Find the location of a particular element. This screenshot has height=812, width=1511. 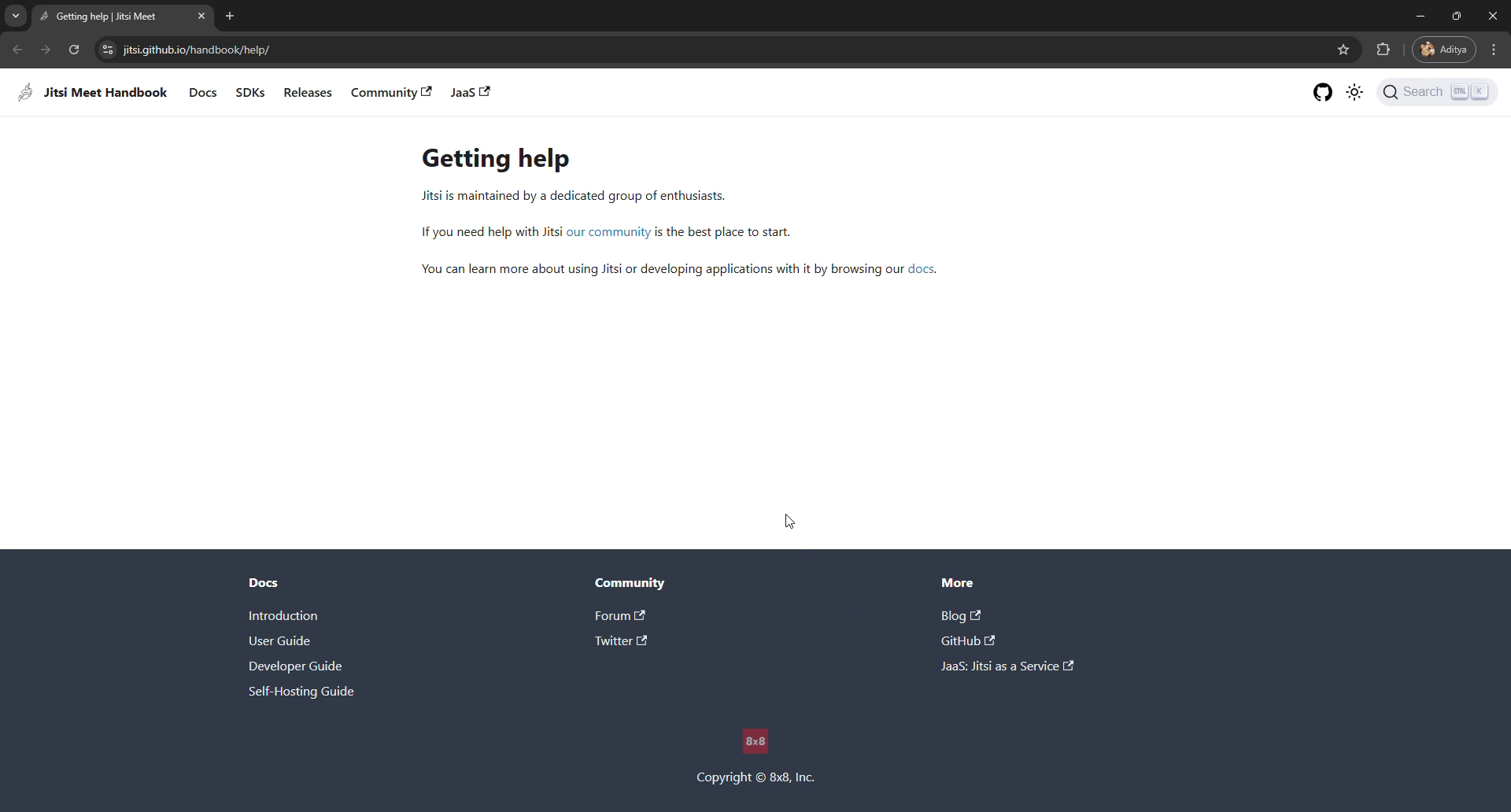

guide is located at coordinates (297, 666).